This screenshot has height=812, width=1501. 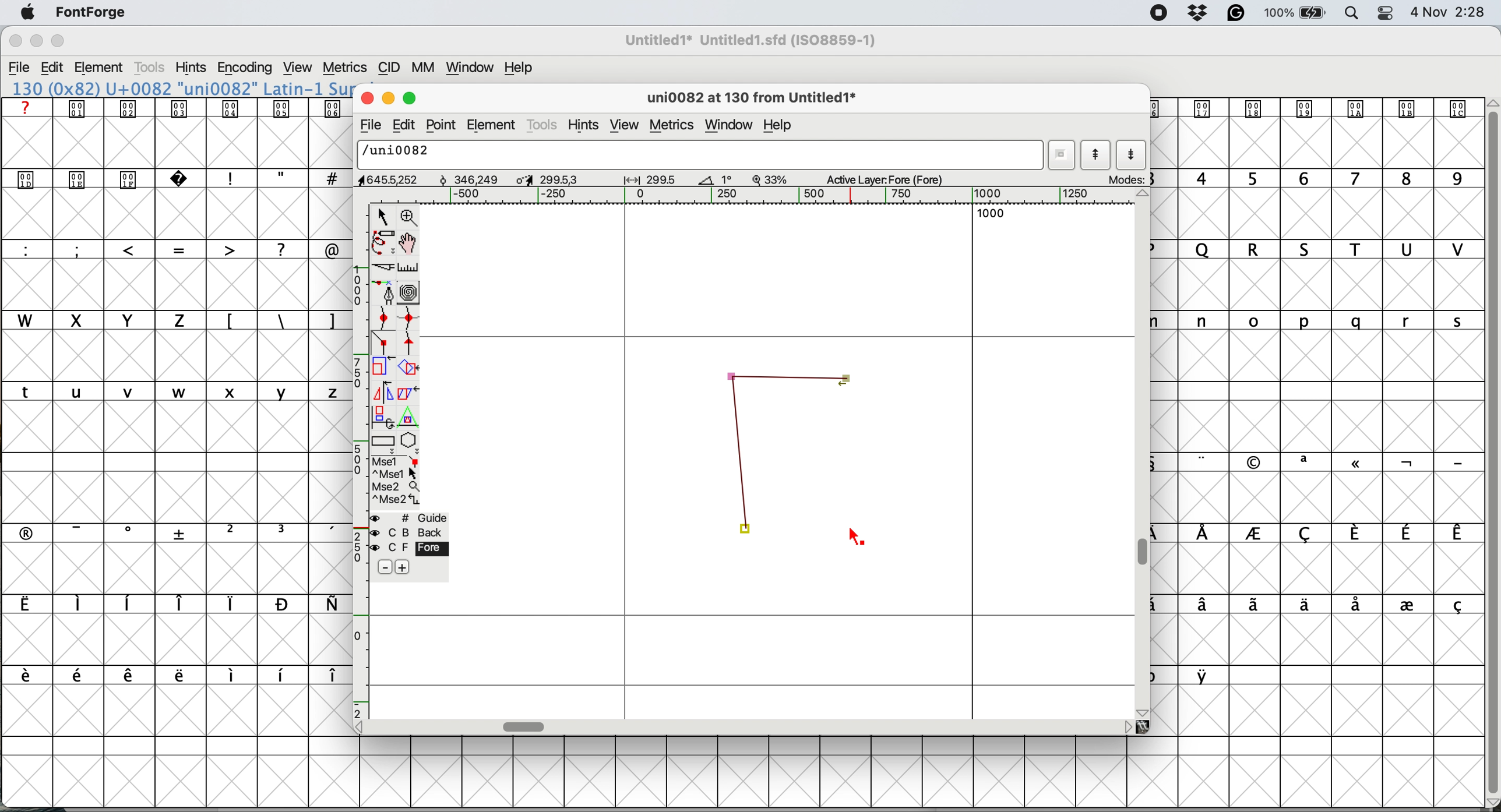 What do you see at coordinates (1349, 15) in the screenshot?
I see `spotlight search` at bounding box center [1349, 15].